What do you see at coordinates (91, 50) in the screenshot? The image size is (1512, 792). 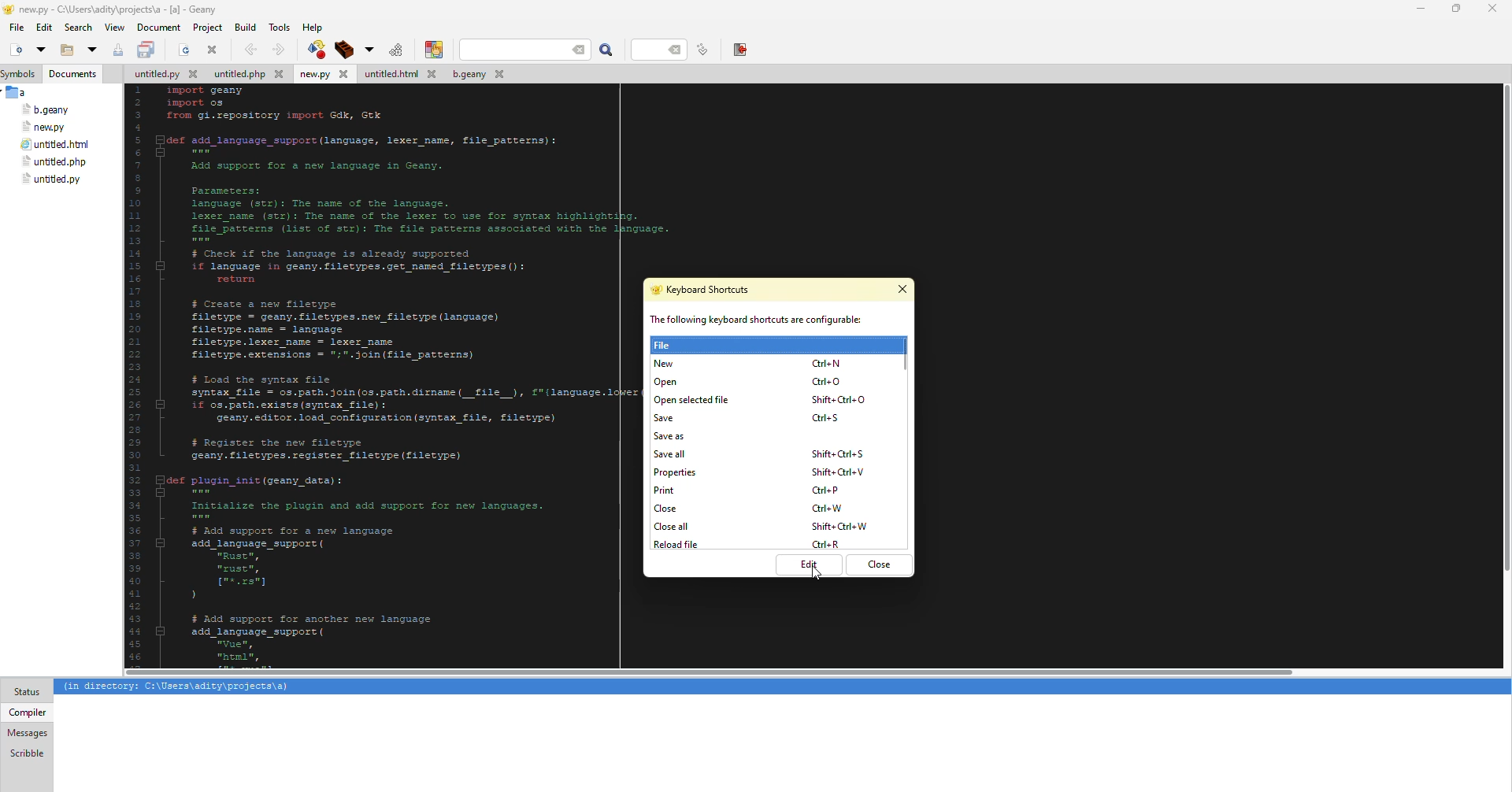 I see `open` at bounding box center [91, 50].